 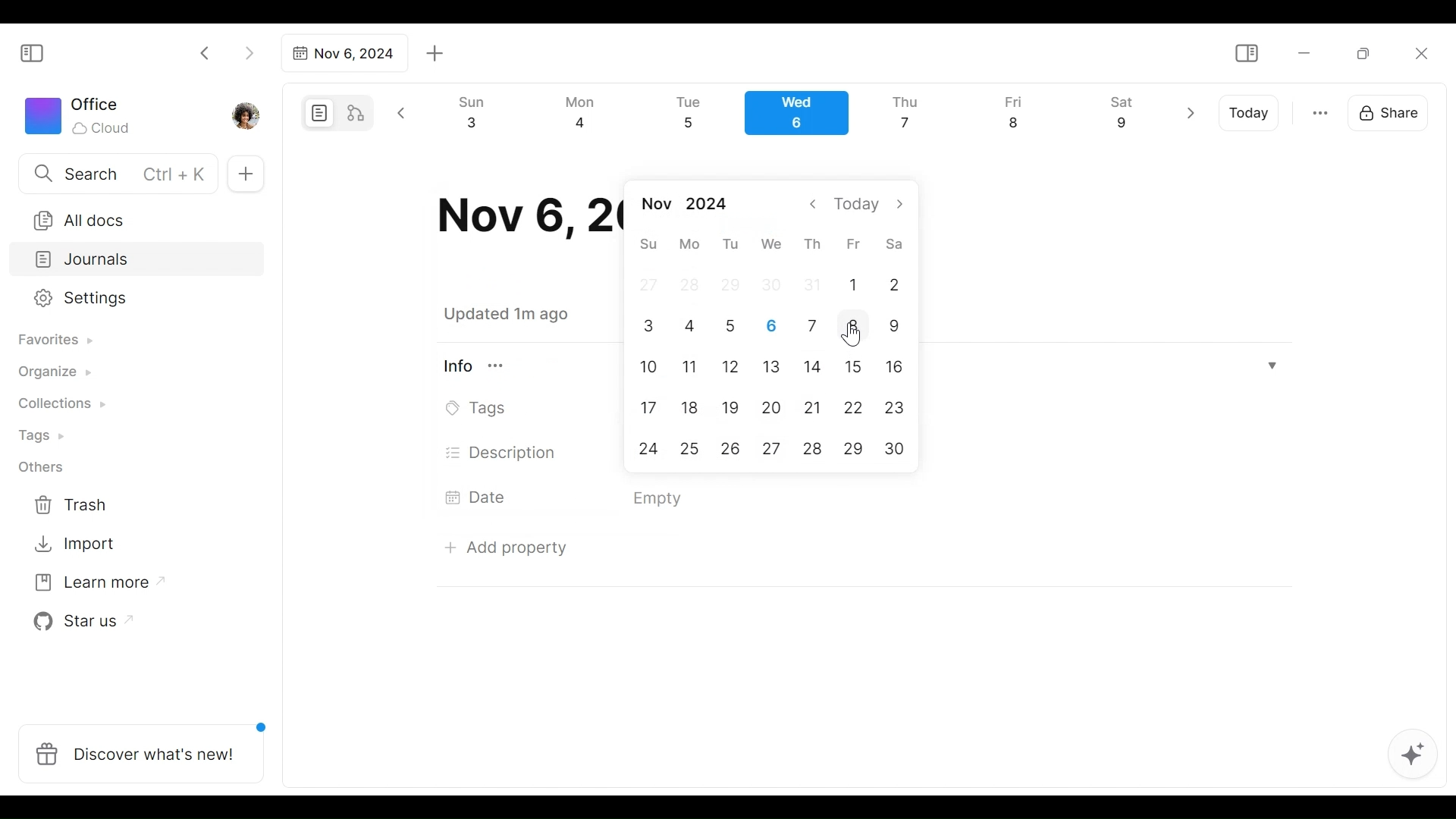 I want to click on Edgeless mode, so click(x=357, y=112).